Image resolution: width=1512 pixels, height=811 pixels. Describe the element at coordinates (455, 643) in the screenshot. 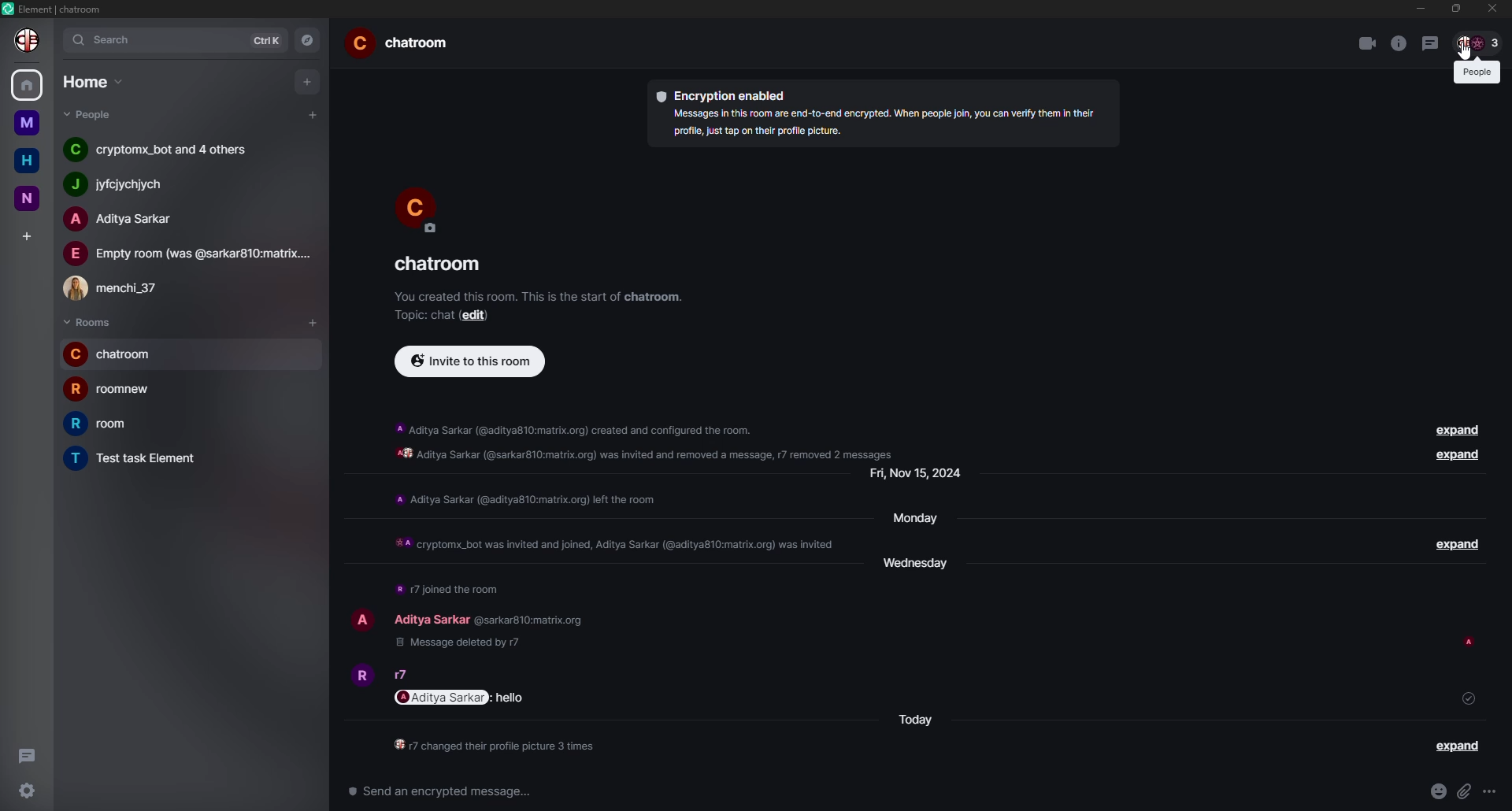

I see `deleted` at that location.